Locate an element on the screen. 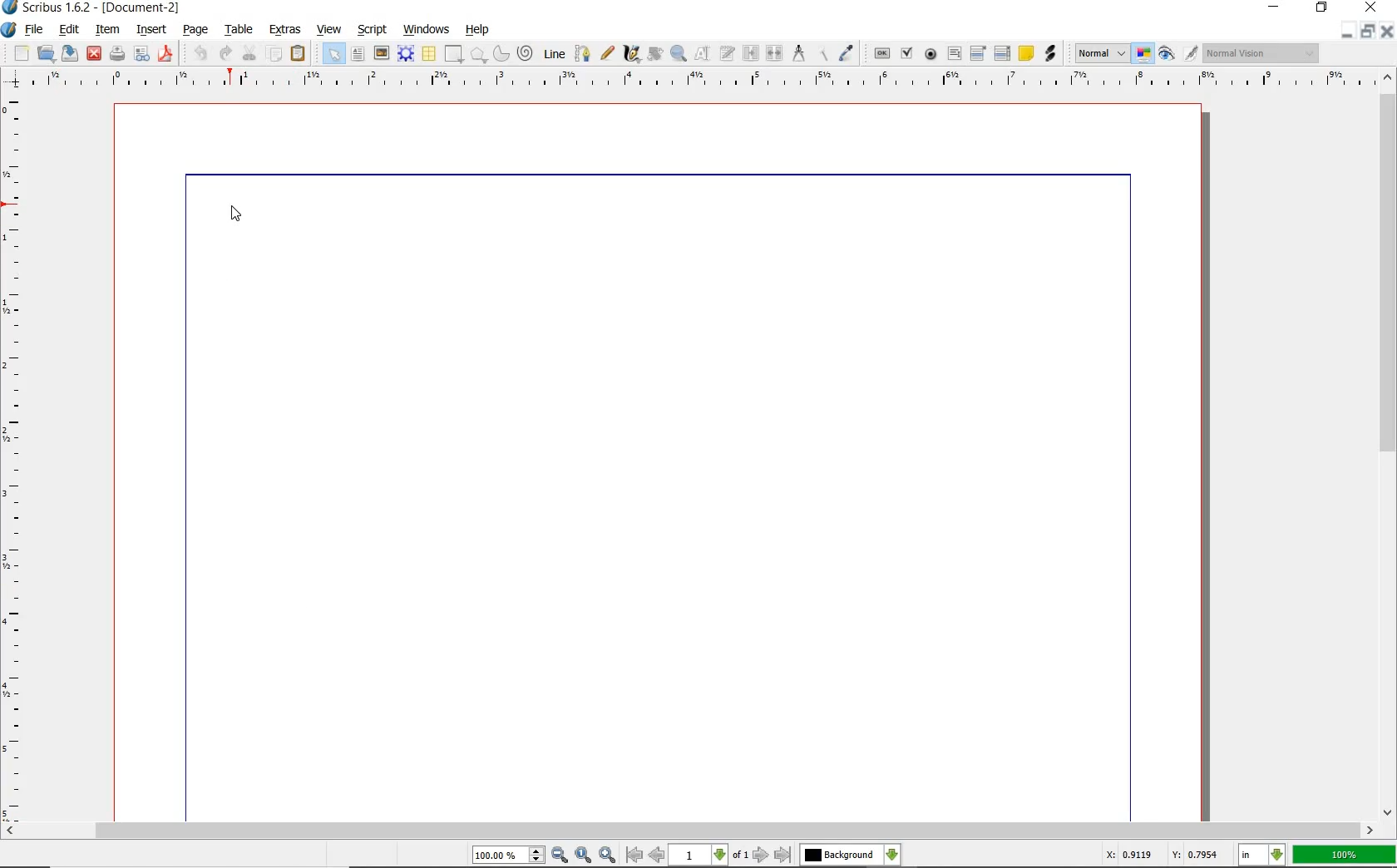  zoom in is located at coordinates (606, 856).